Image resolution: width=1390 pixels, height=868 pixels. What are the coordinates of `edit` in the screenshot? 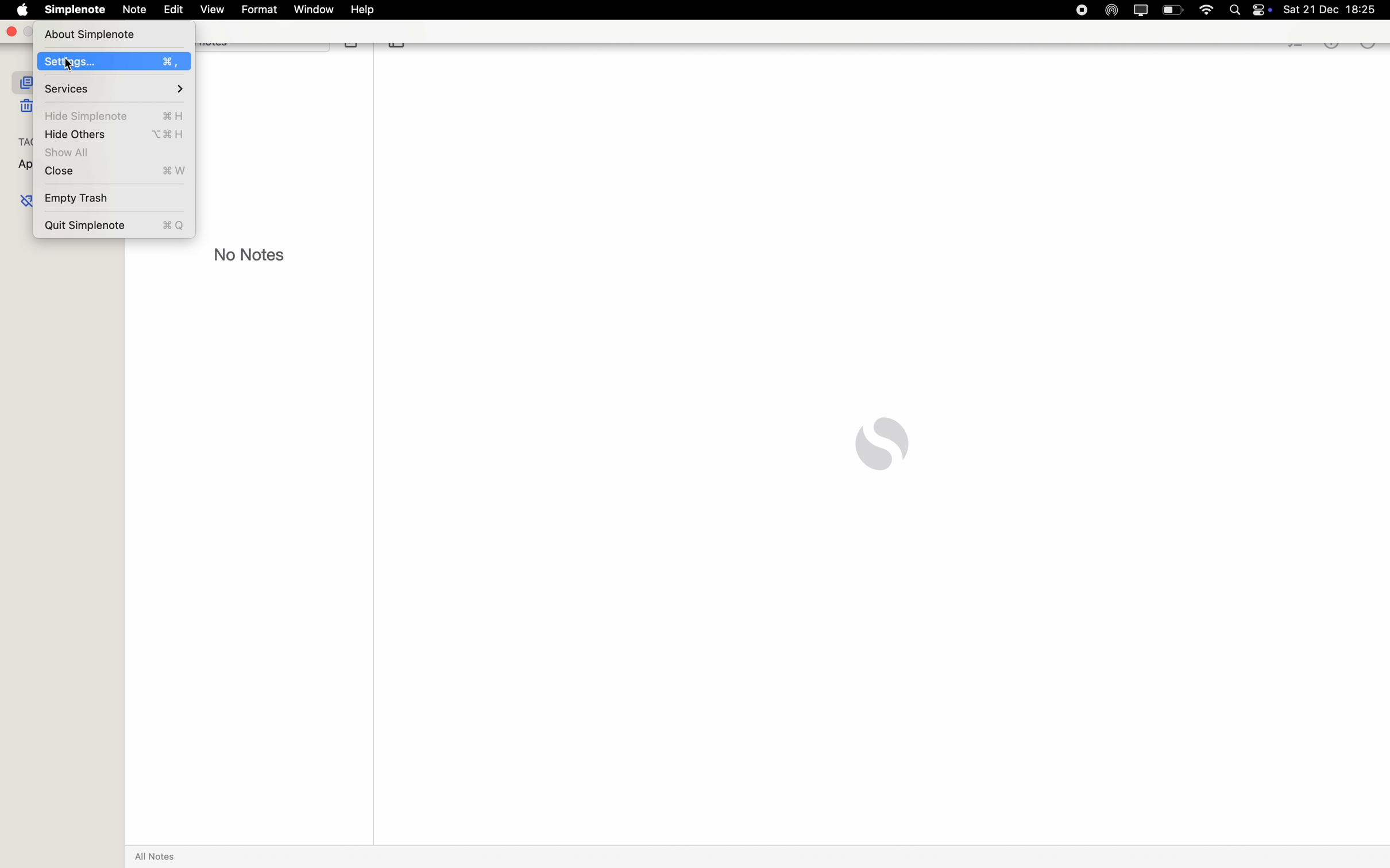 It's located at (172, 9).